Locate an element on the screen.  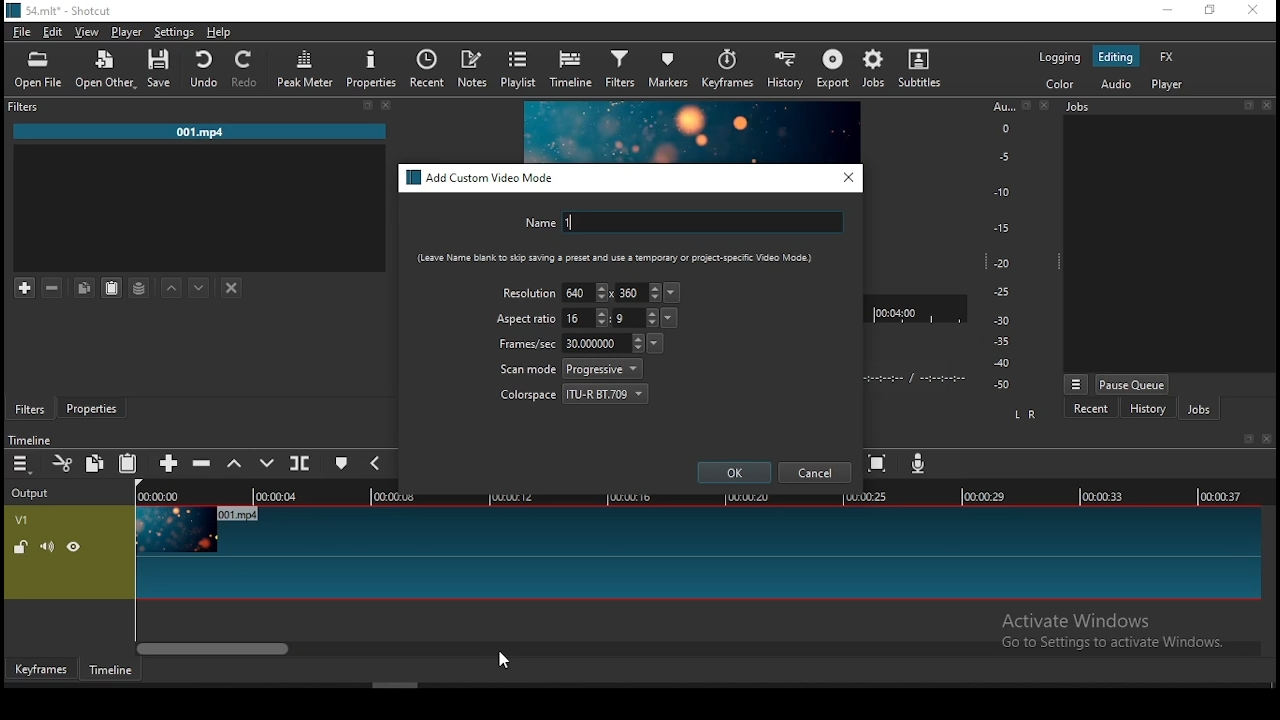
unlock is located at coordinates (23, 548).